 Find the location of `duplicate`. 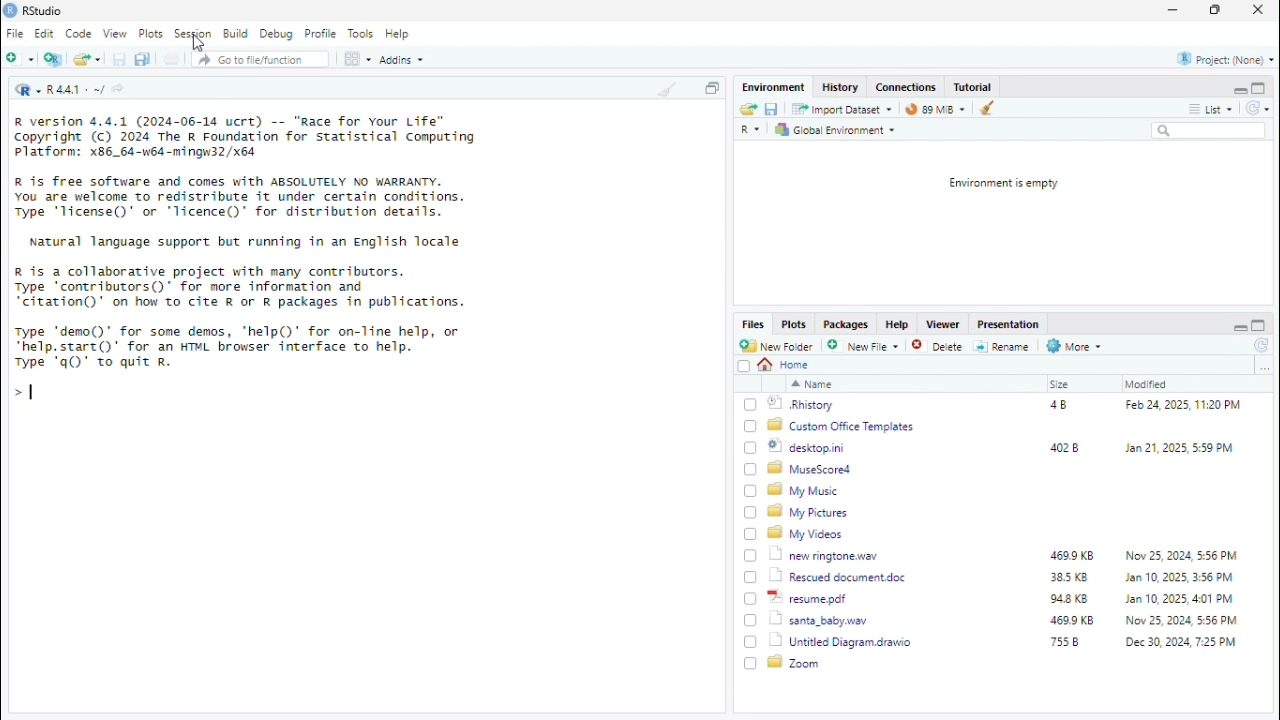

duplicate is located at coordinates (143, 59).